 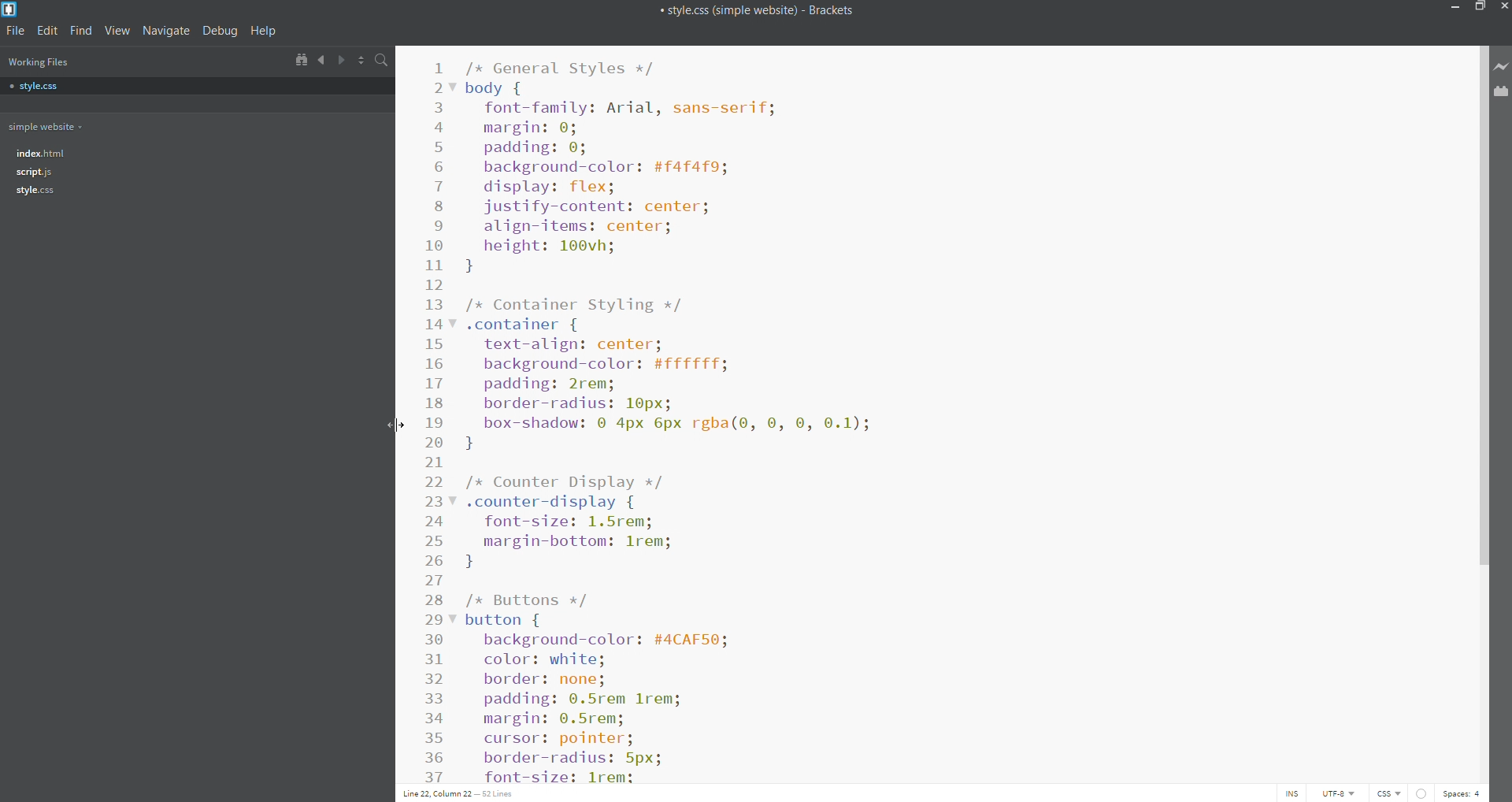 What do you see at coordinates (82, 32) in the screenshot?
I see `find` at bounding box center [82, 32].